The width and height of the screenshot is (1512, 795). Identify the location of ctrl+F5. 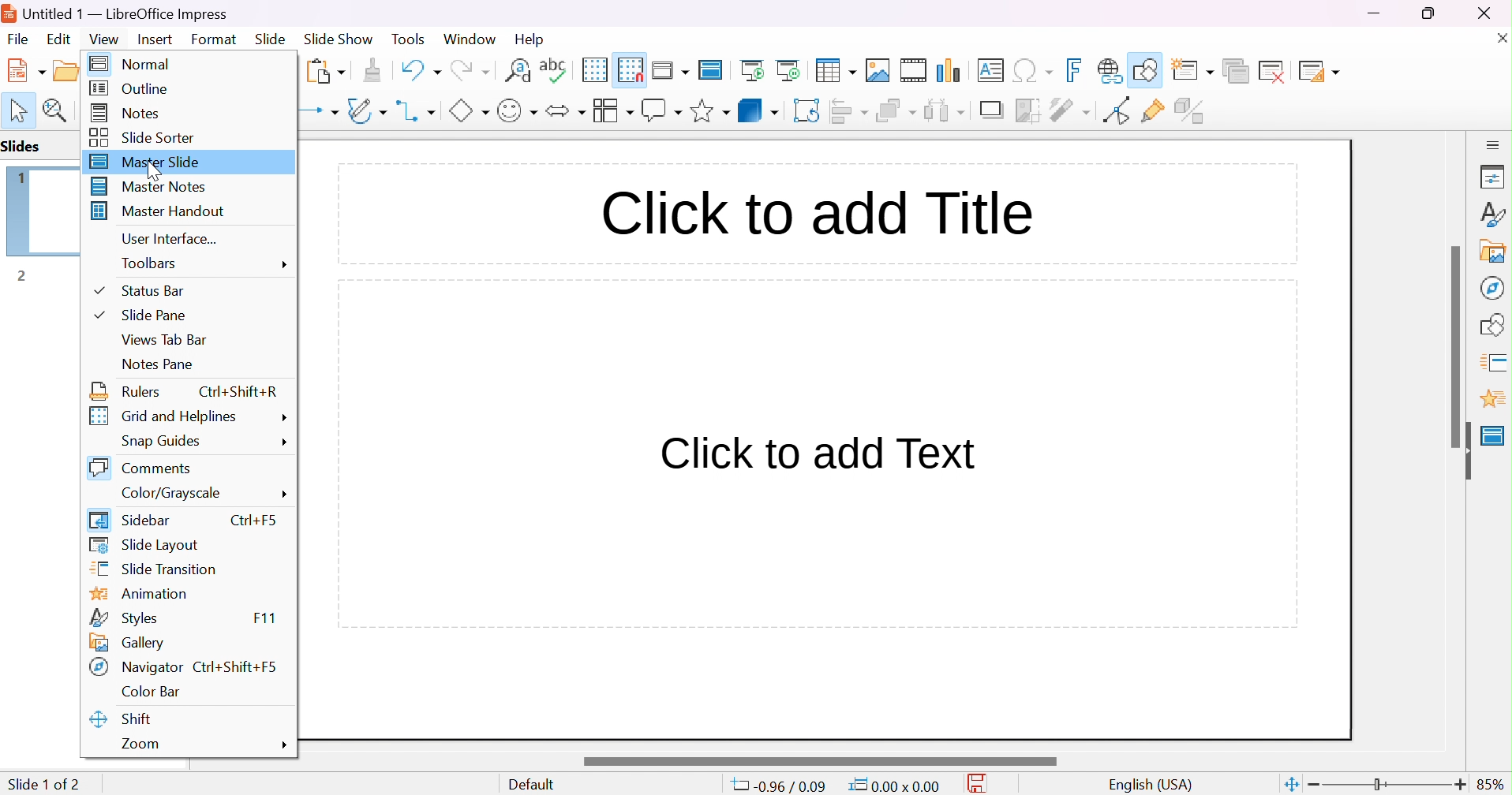
(255, 518).